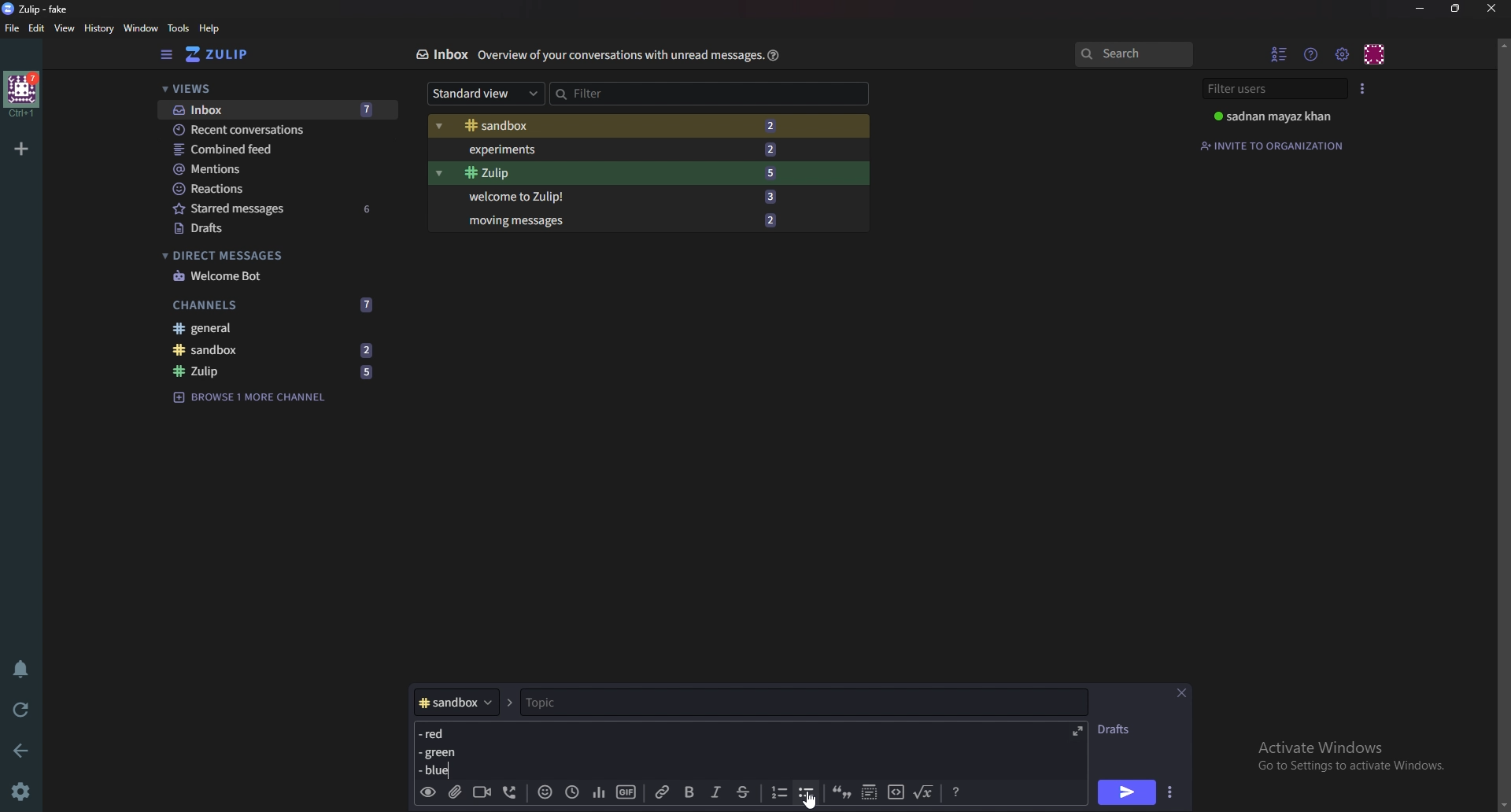 The image size is (1511, 812). What do you see at coordinates (513, 792) in the screenshot?
I see `Voice call` at bounding box center [513, 792].